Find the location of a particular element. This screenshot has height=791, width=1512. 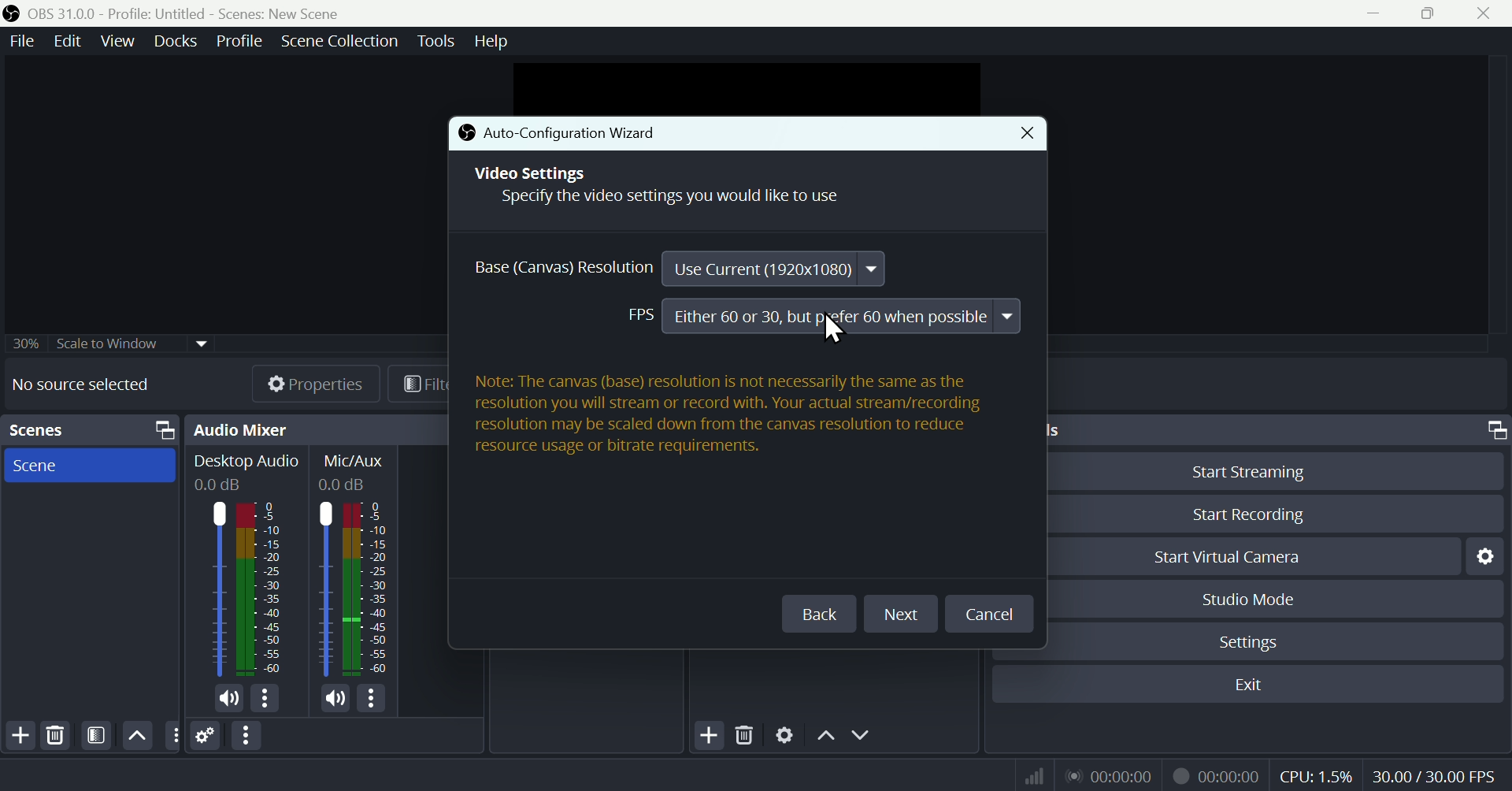

Delete is located at coordinates (57, 735).